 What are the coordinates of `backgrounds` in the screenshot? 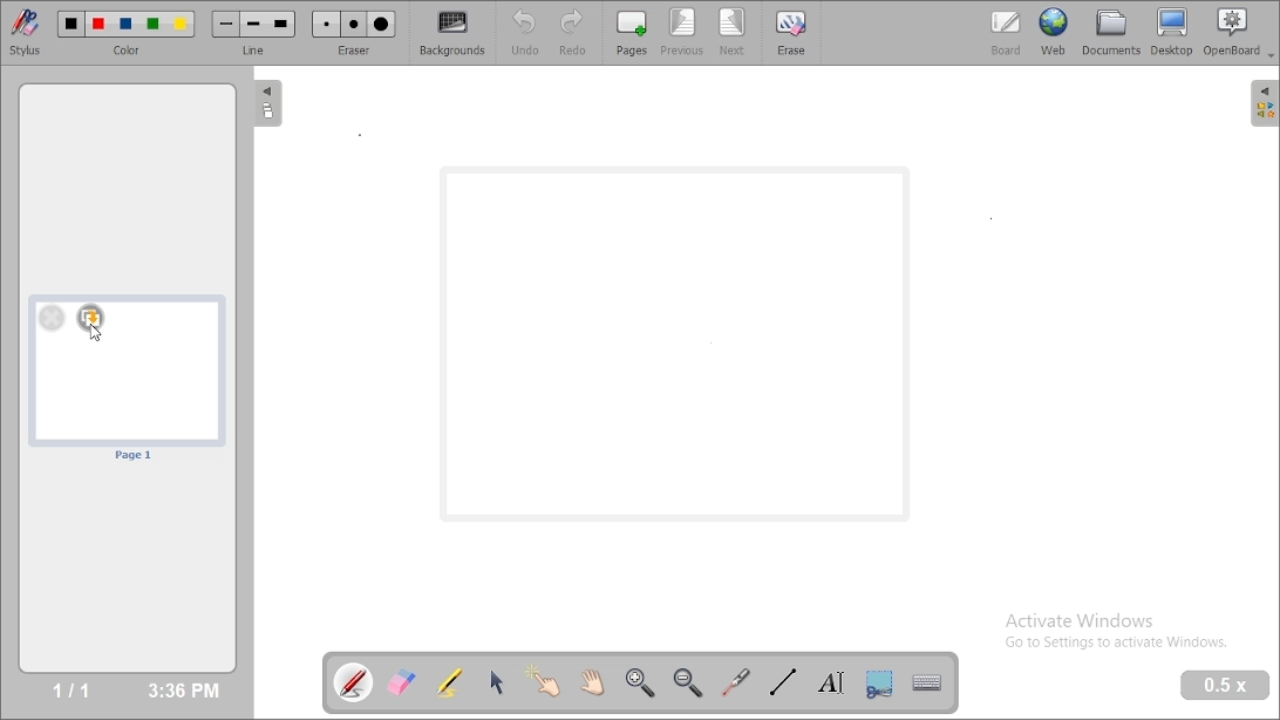 It's located at (454, 33).